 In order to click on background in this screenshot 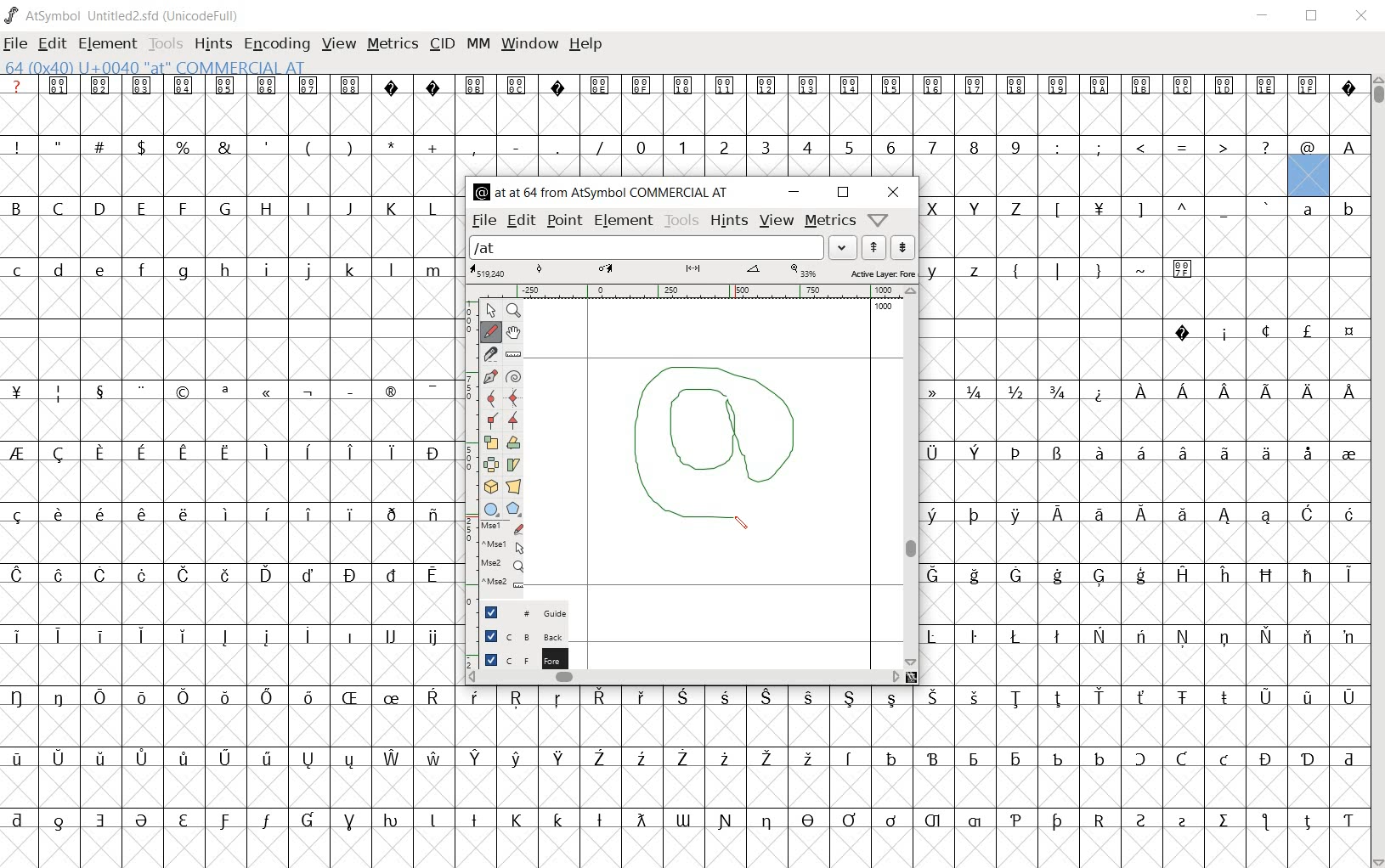, I will do `click(540, 635)`.